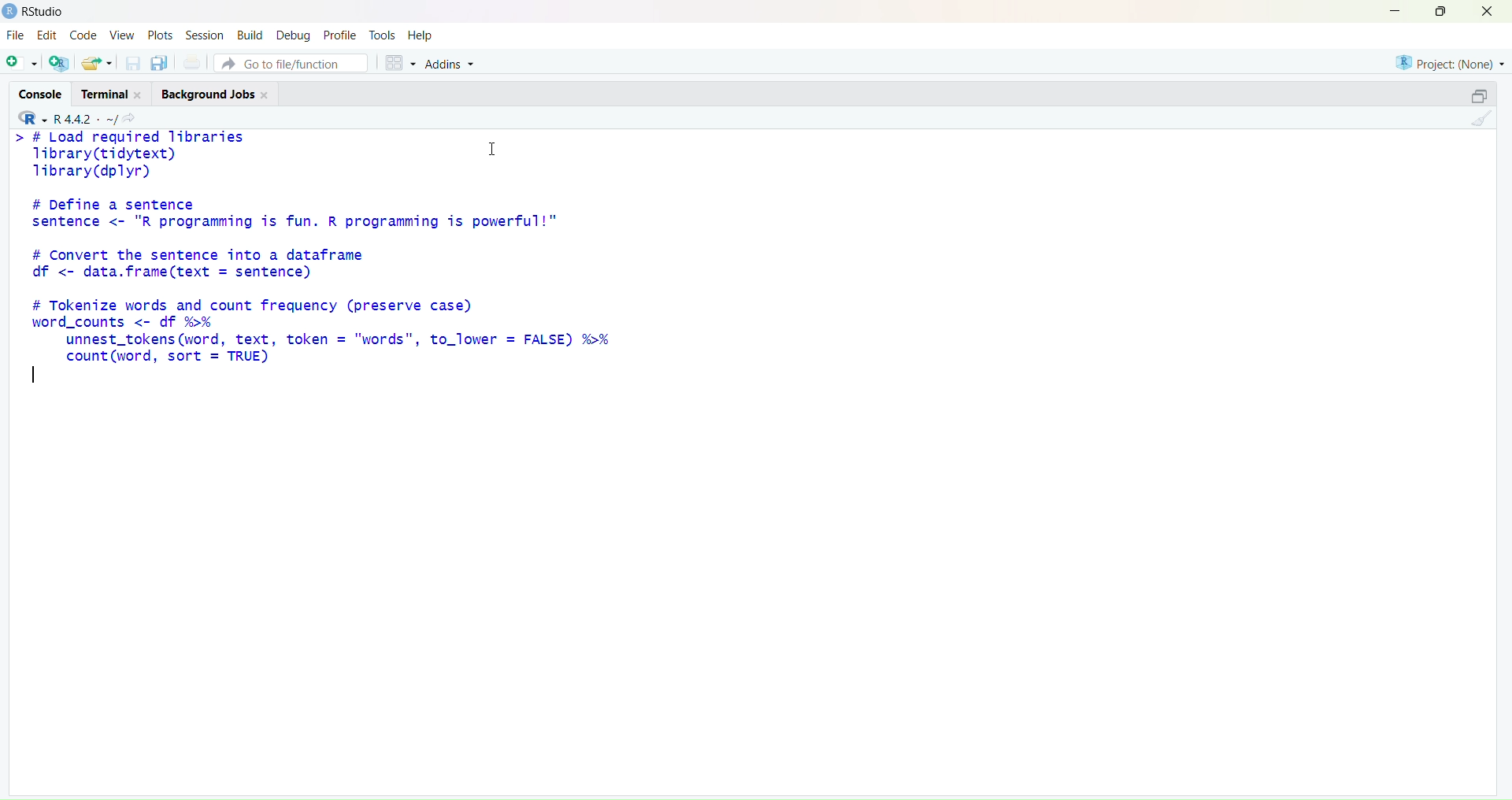 The height and width of the screenshot is (800, 1512). What do you see at coordinates (161, 35) in the screenshot?
I see `plots` at bounding box center [161, 35].